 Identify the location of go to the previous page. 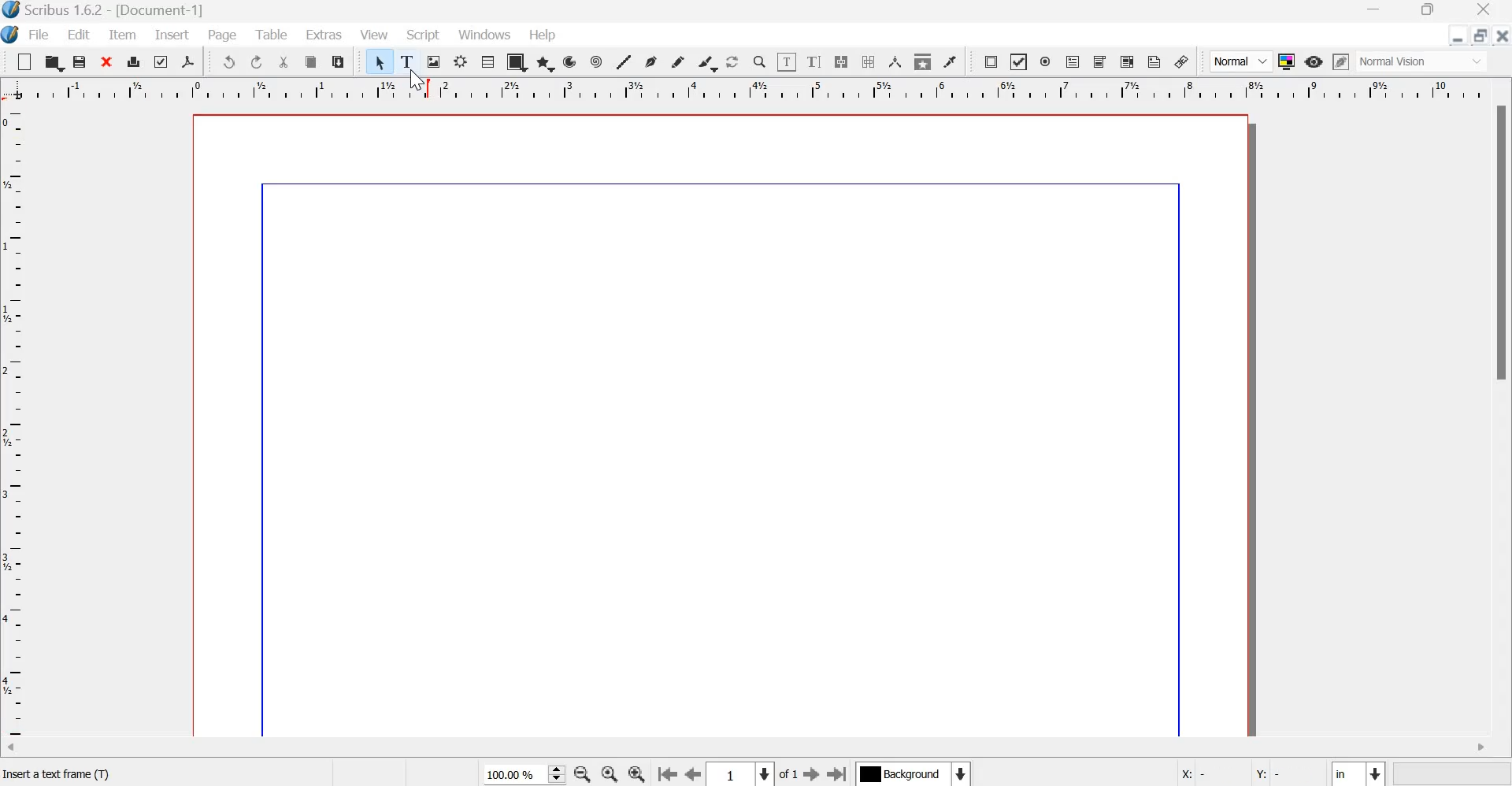
(667, 775).